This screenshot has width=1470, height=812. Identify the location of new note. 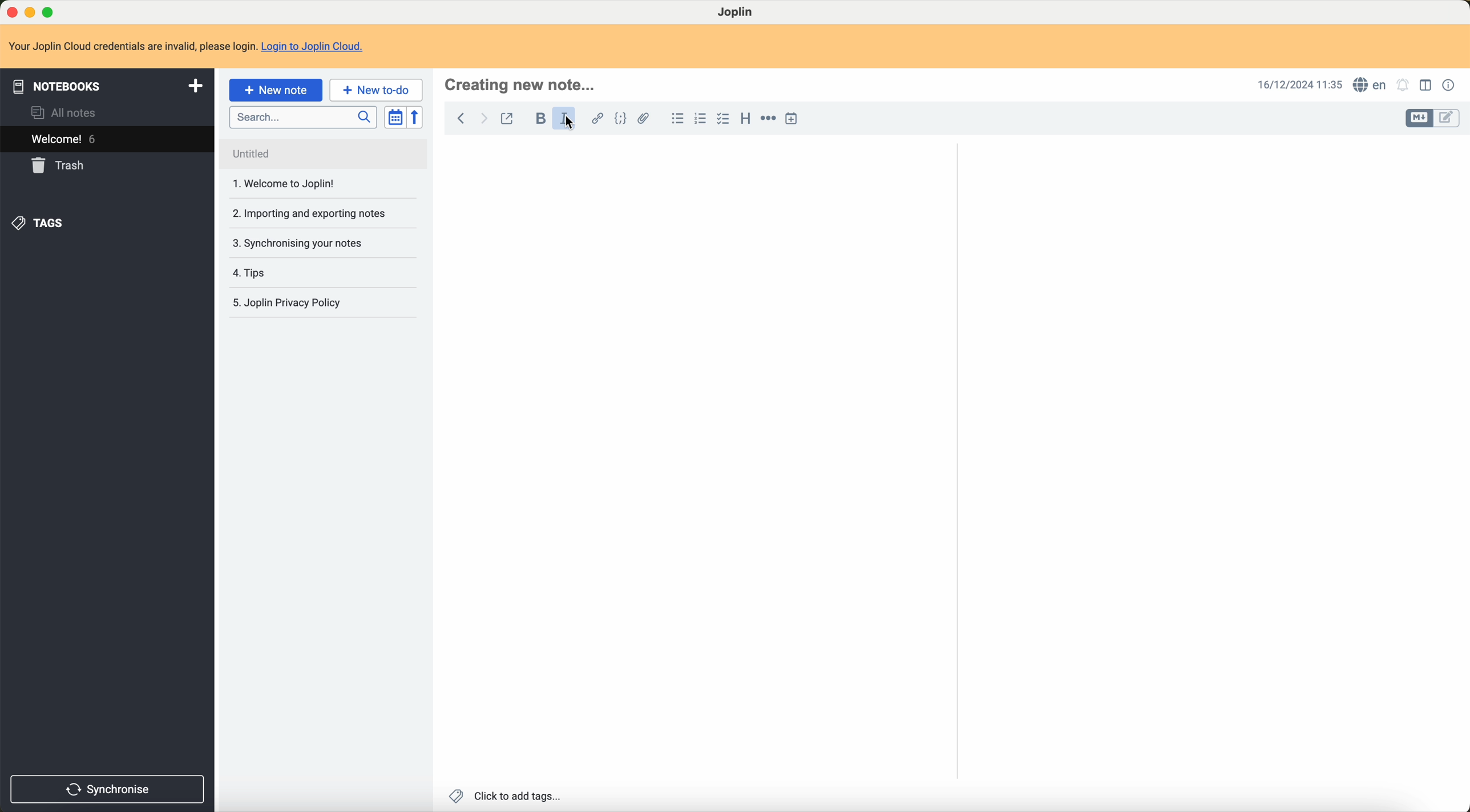
(276, 90).